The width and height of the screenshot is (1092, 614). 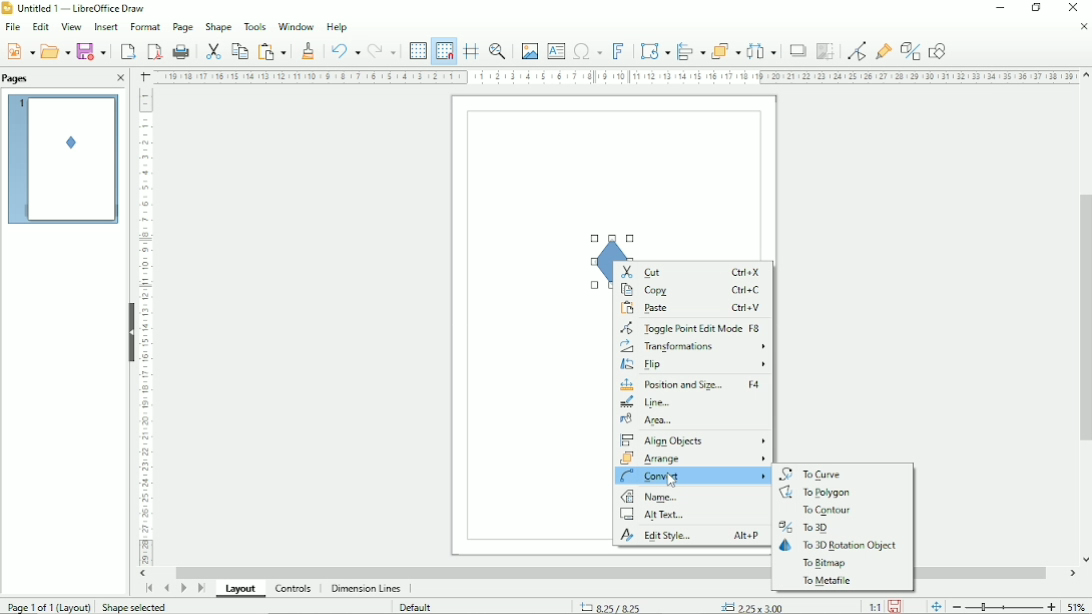 I want to click on Zoom factor, so click(x=1078, y=604).